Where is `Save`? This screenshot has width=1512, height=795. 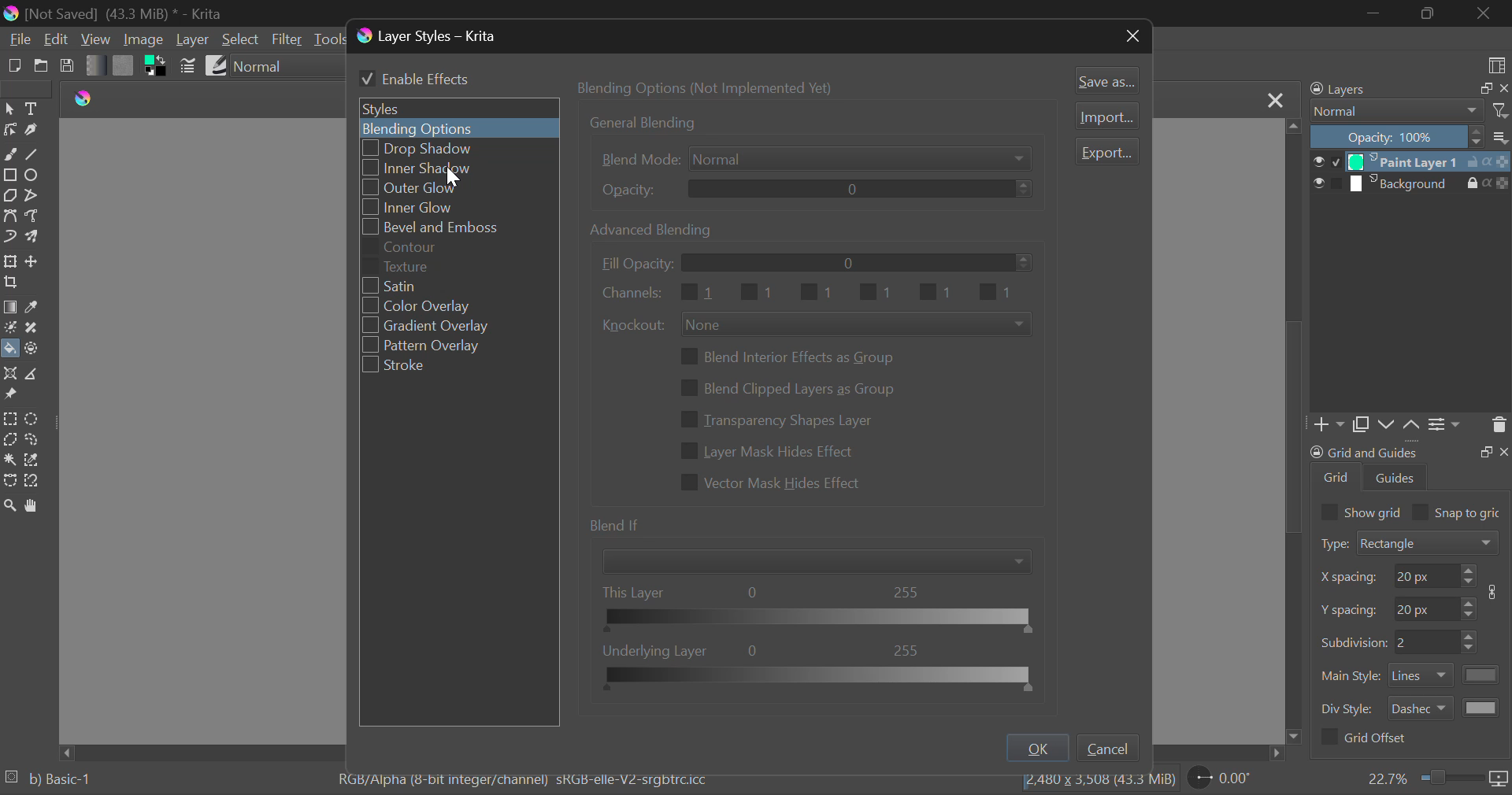 Save is located at coordinates (68, 68).